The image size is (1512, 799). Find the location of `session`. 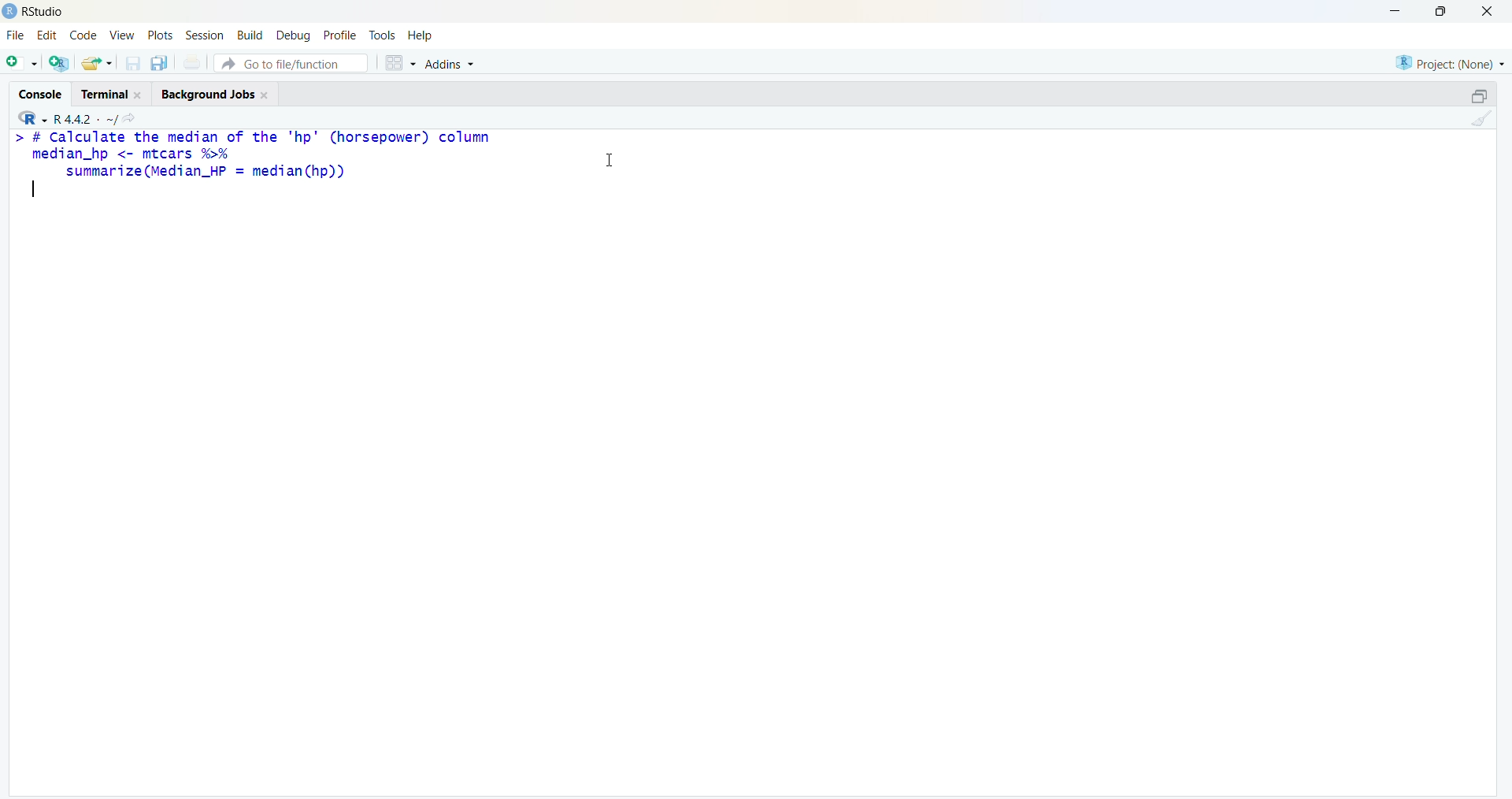

session is located at coordinates (205, 35).